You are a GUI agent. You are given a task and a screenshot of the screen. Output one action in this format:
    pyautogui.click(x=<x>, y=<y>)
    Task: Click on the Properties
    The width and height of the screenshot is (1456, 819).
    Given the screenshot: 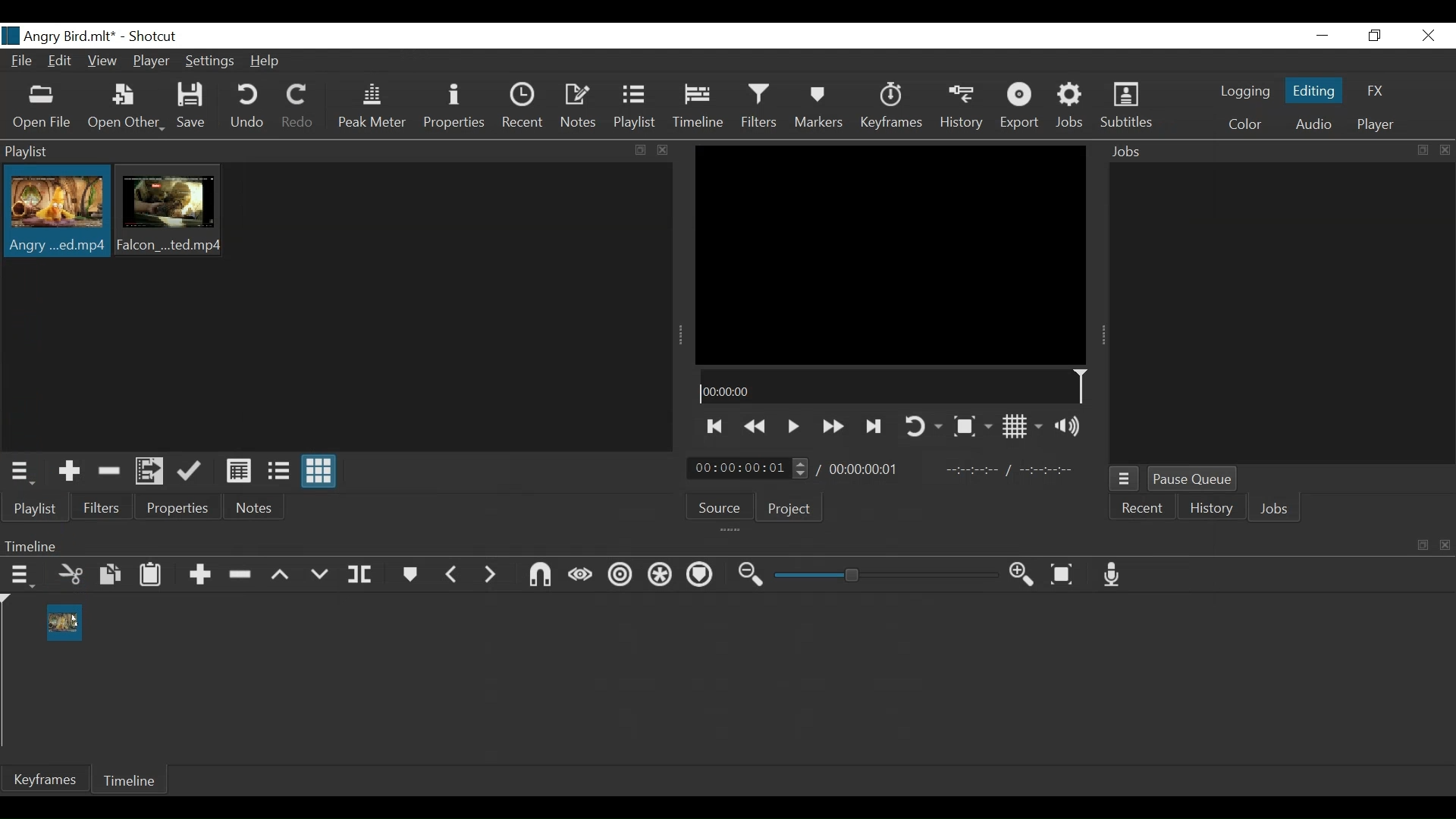 What is the action you would take?
    pyautogui.click(x=456, y=107)
    